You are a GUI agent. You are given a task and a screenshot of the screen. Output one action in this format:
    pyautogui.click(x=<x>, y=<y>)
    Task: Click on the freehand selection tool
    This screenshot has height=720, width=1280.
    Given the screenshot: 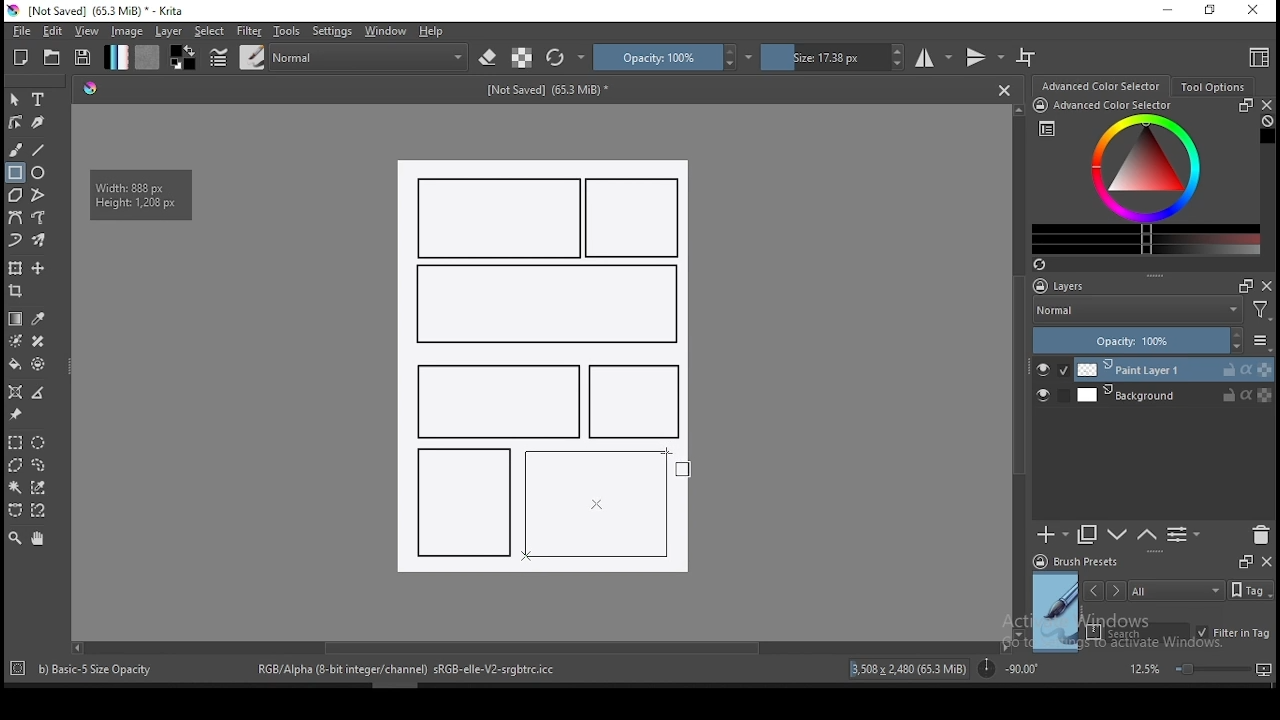 What is the action you would take?
    pyautogui.click(x=39, y=465)
    